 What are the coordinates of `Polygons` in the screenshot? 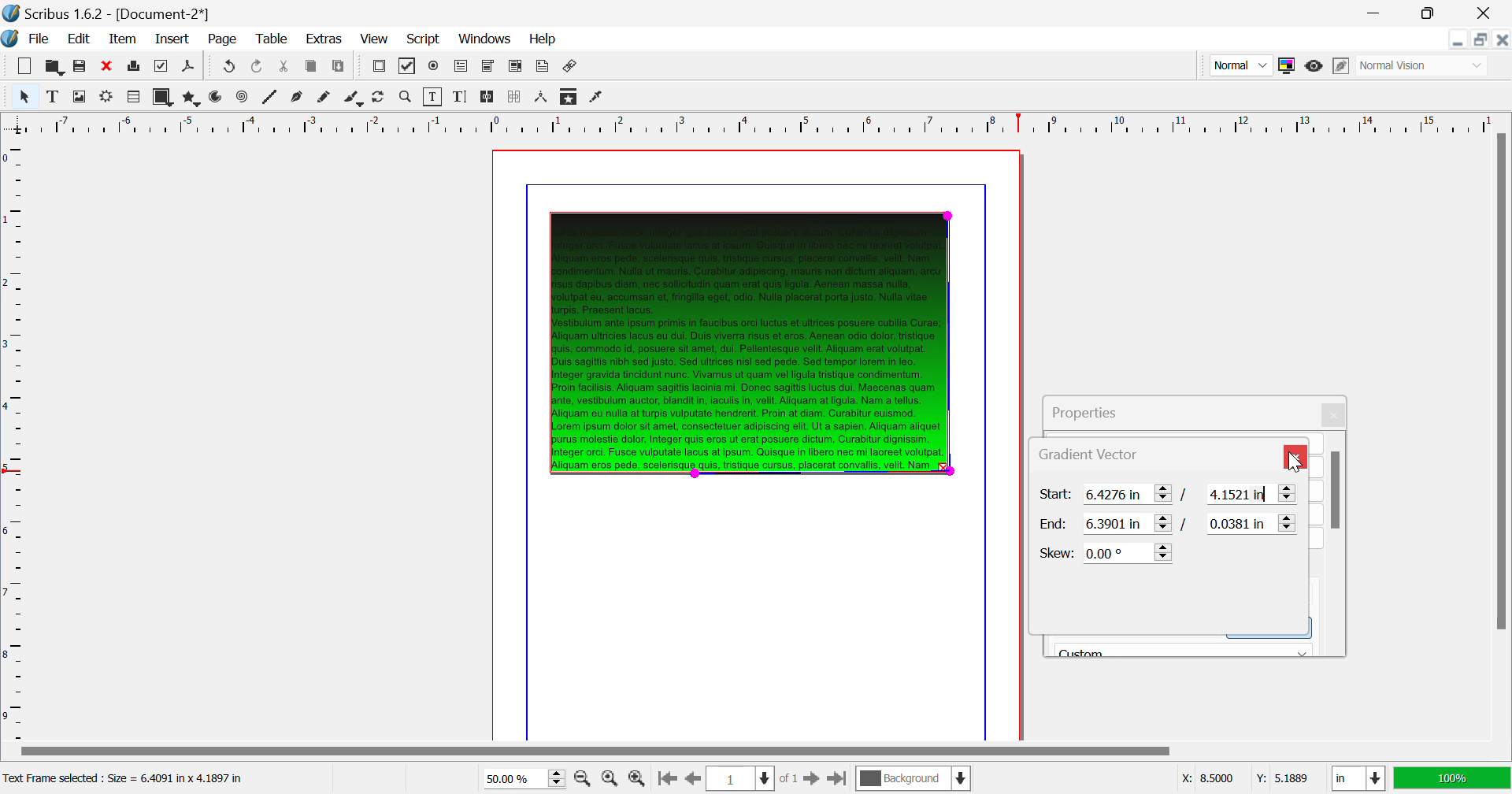 It's located at (190, 98).